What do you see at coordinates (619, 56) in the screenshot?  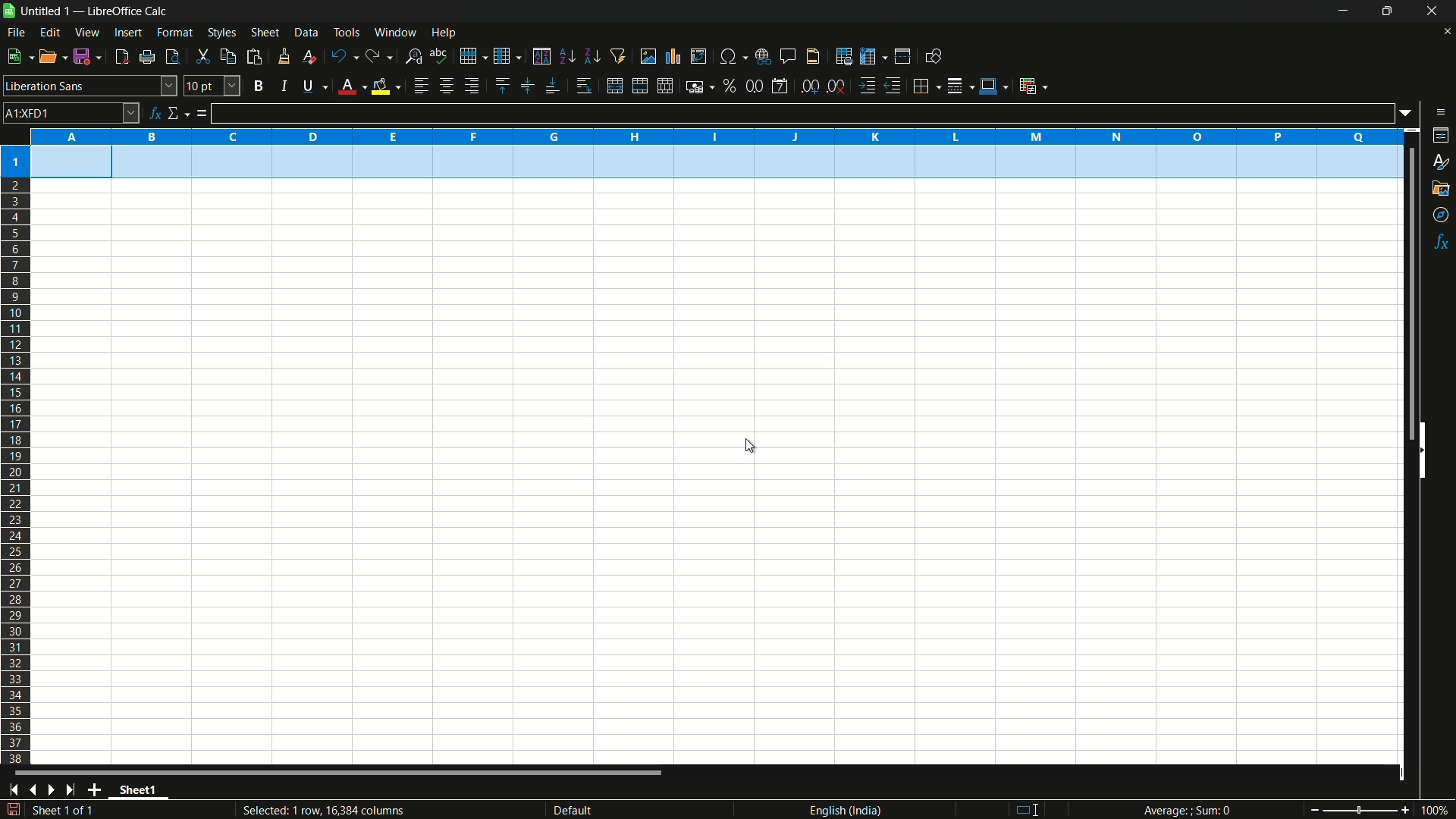 I see `auto filter` at bounding box center [619, 56].